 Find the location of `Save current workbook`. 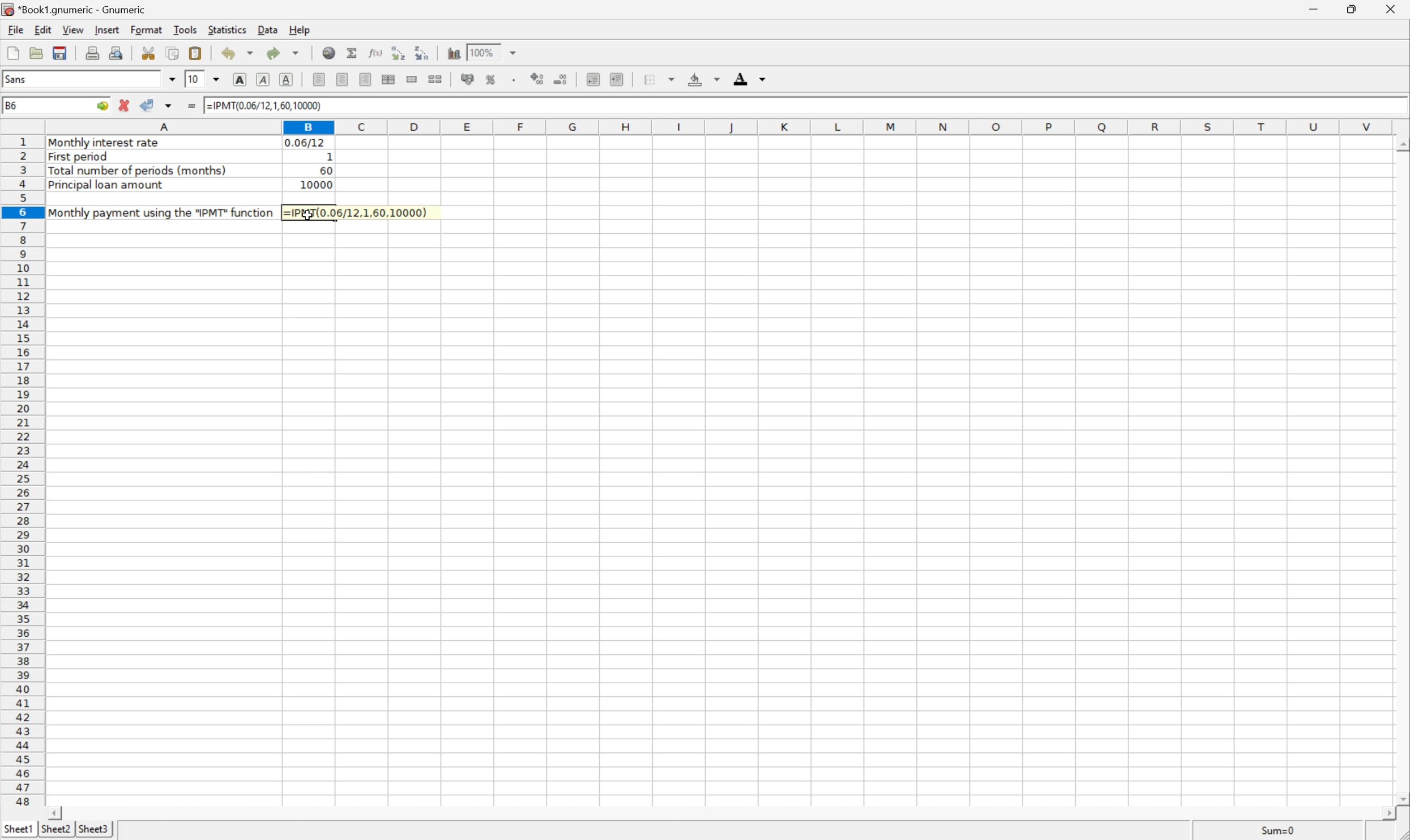

Save current workbook is located at coordinates (65, 52).